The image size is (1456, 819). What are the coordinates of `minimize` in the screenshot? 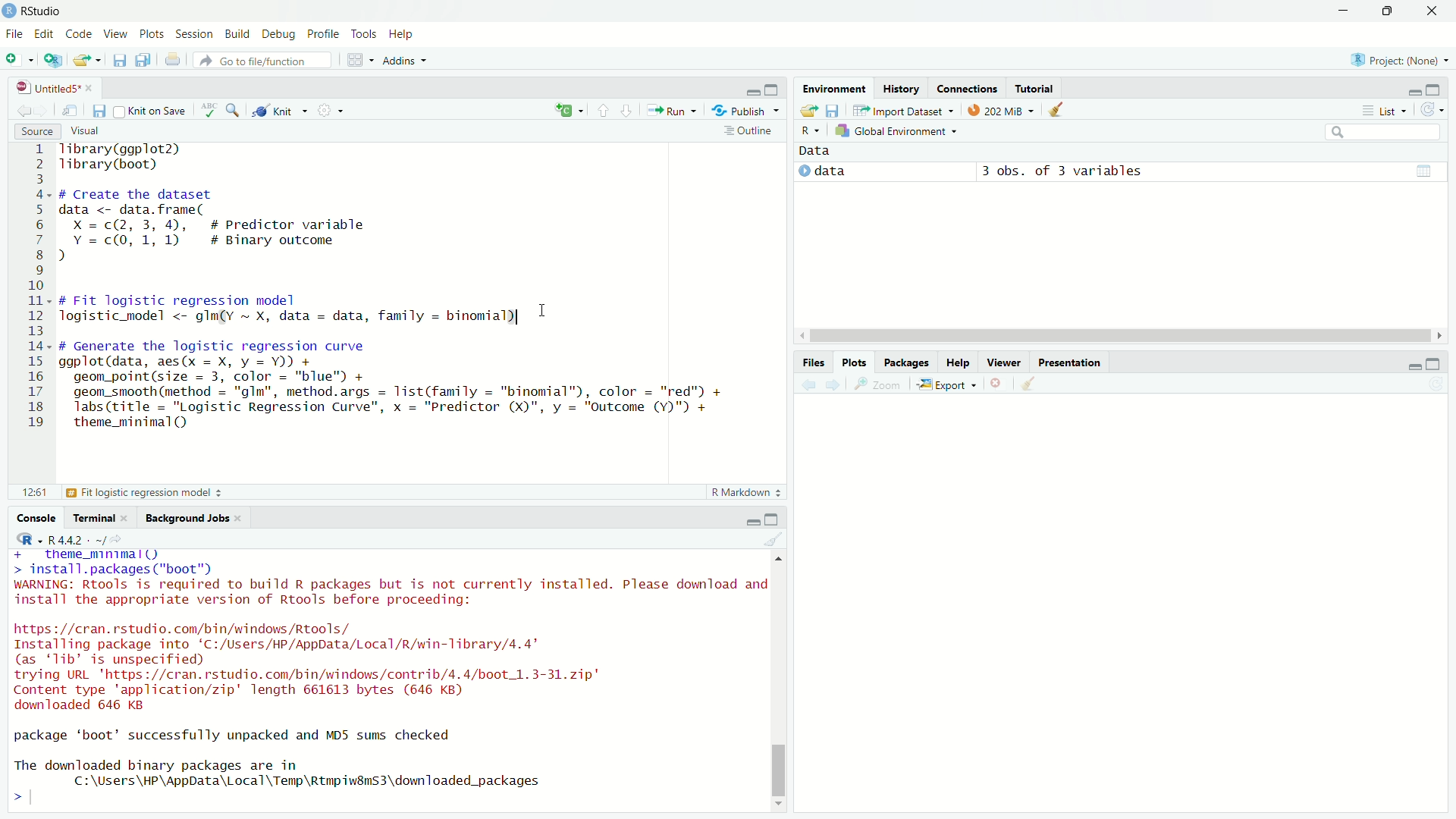 It's located at (1413, 367).